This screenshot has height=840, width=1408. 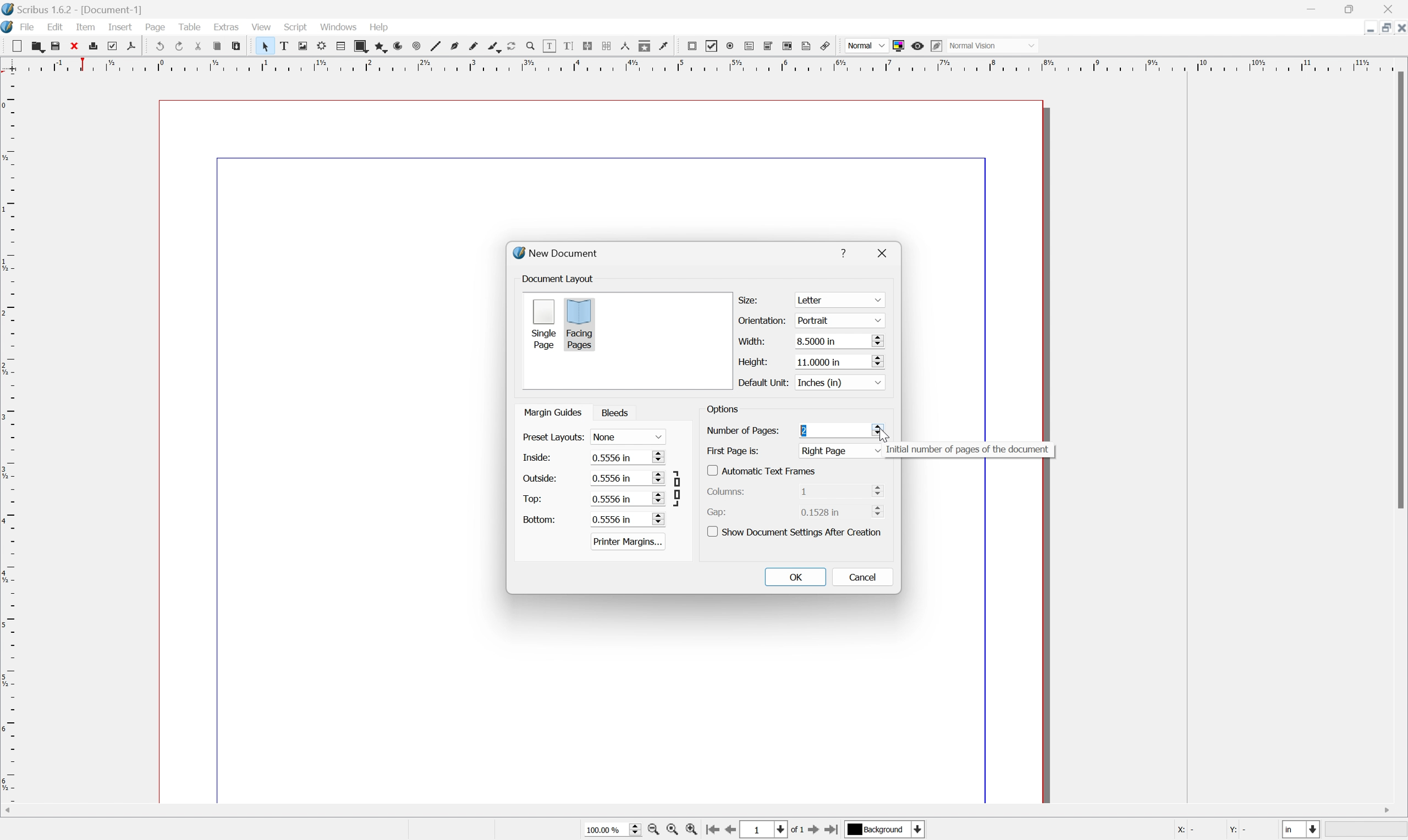 What do you see at coordinates (919, 44) in the screenshot?
I see `Preview mode` at bounding box center [919, 44].